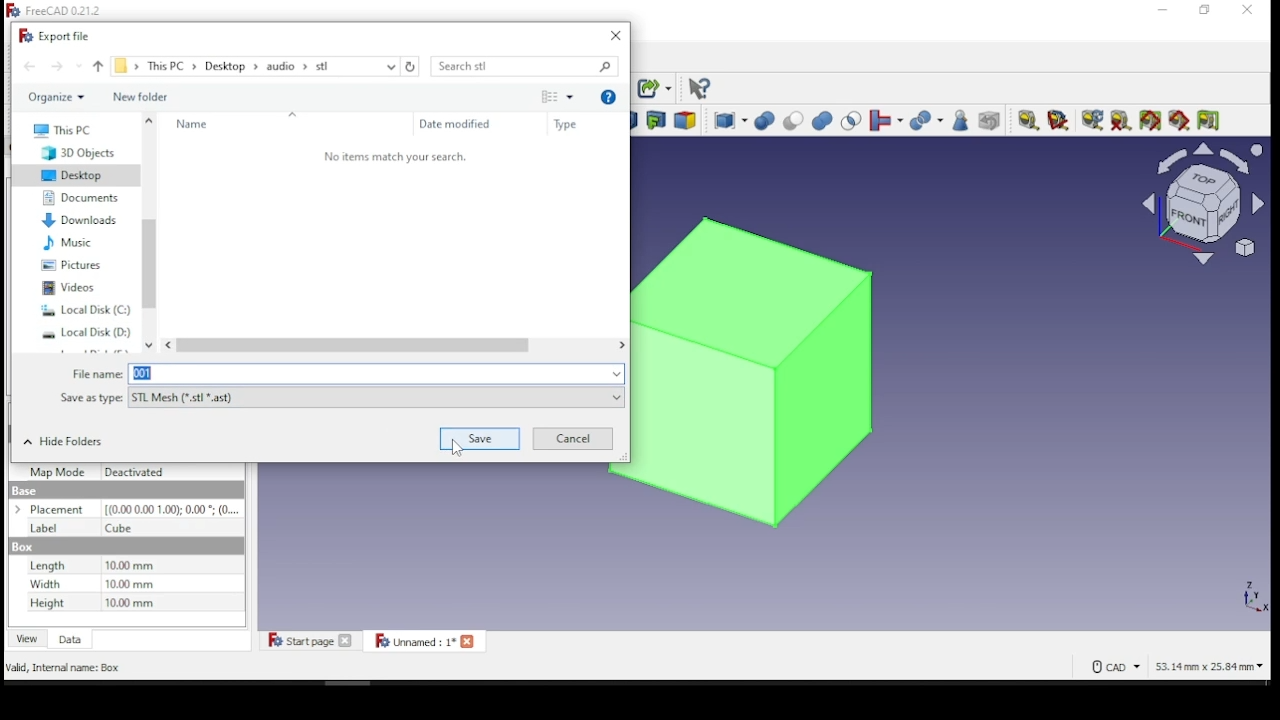 Image resolution: width=1280 pixels, height=720 pixels. I want to click on file type, so click(336, 396).